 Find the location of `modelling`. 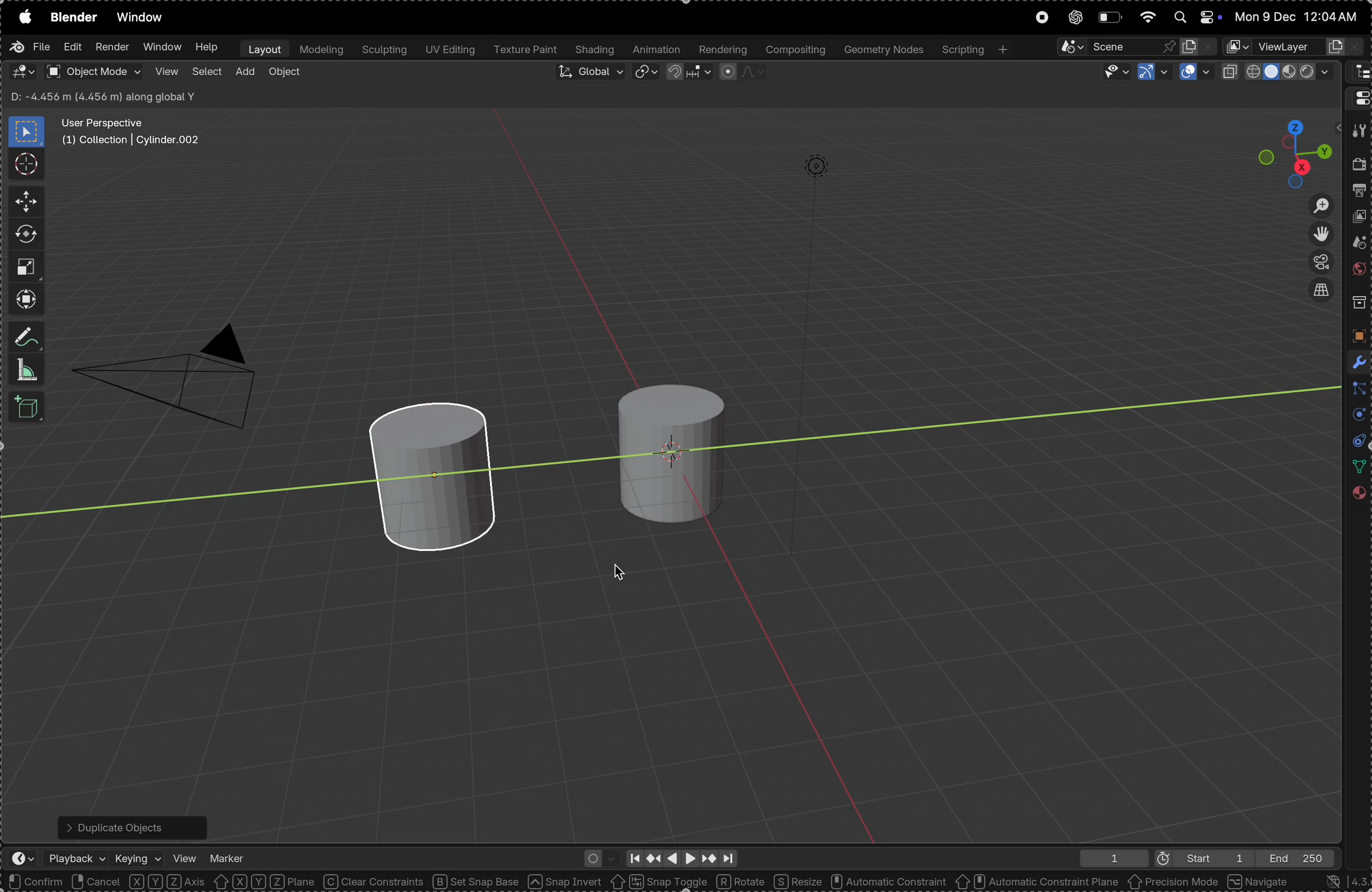

modelling is located at coordinates (321, 49).